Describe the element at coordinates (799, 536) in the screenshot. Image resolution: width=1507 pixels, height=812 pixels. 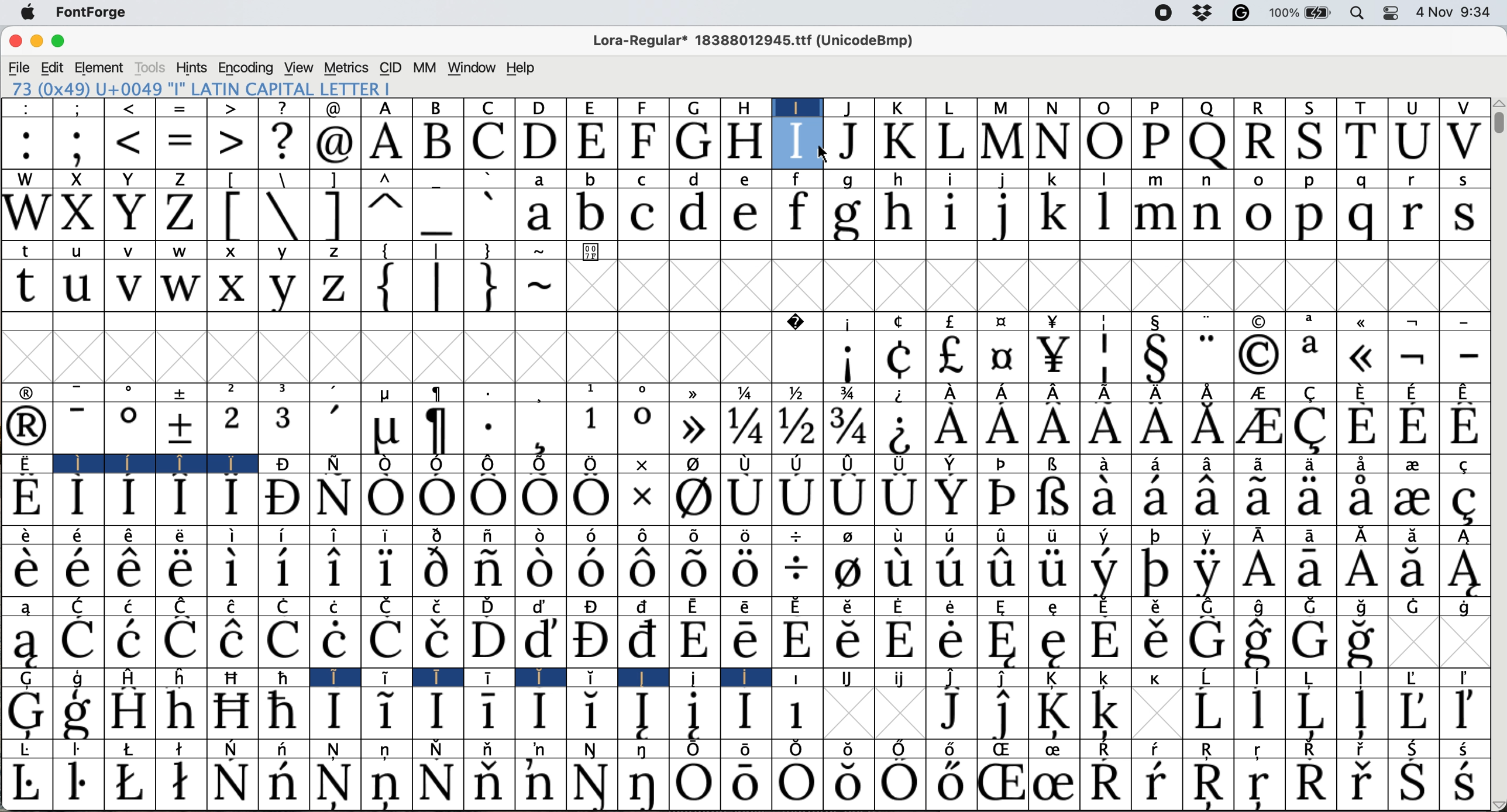
I see `/` at that location.